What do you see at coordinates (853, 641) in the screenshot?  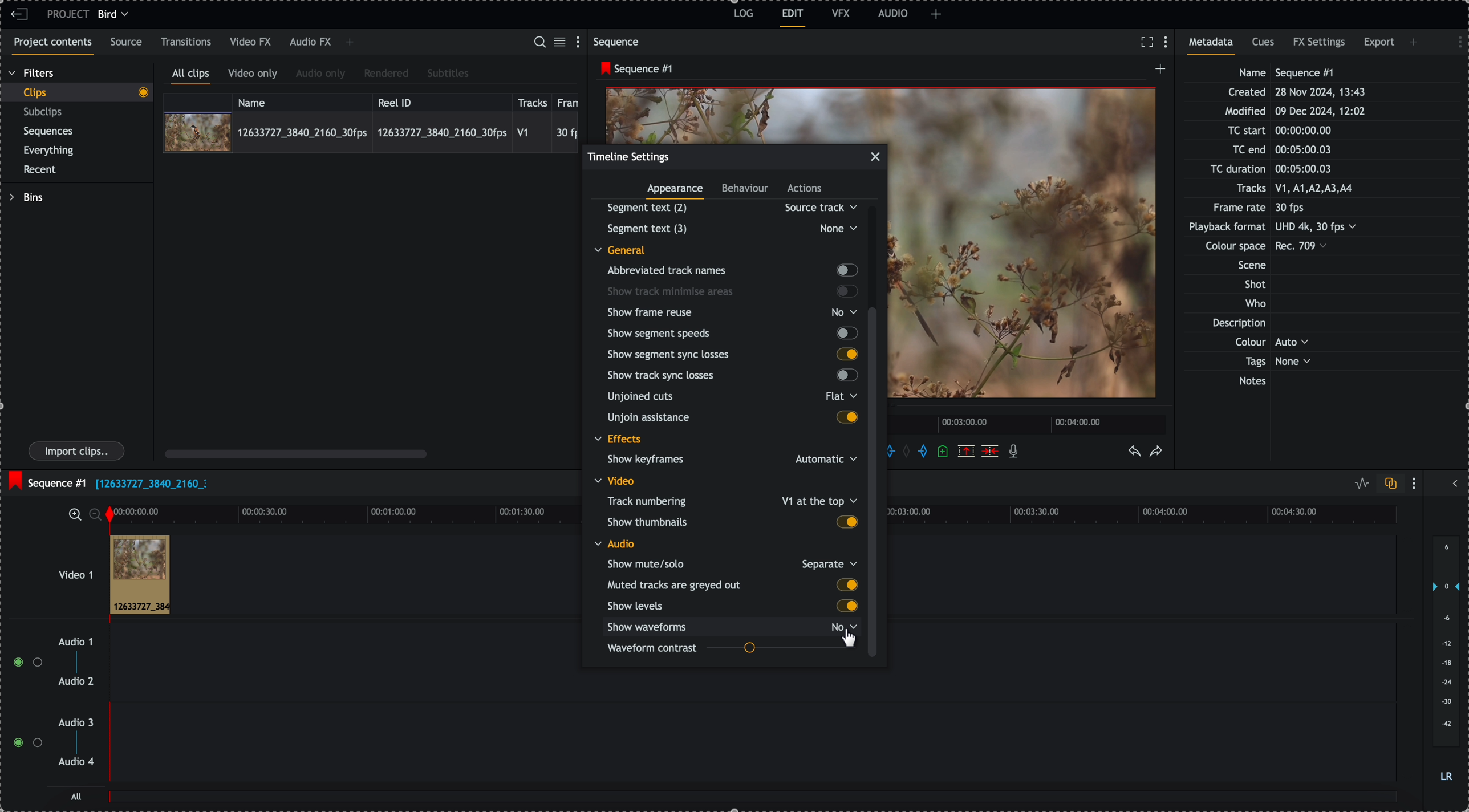 I see `cursor` at bounding box center [853, 641].